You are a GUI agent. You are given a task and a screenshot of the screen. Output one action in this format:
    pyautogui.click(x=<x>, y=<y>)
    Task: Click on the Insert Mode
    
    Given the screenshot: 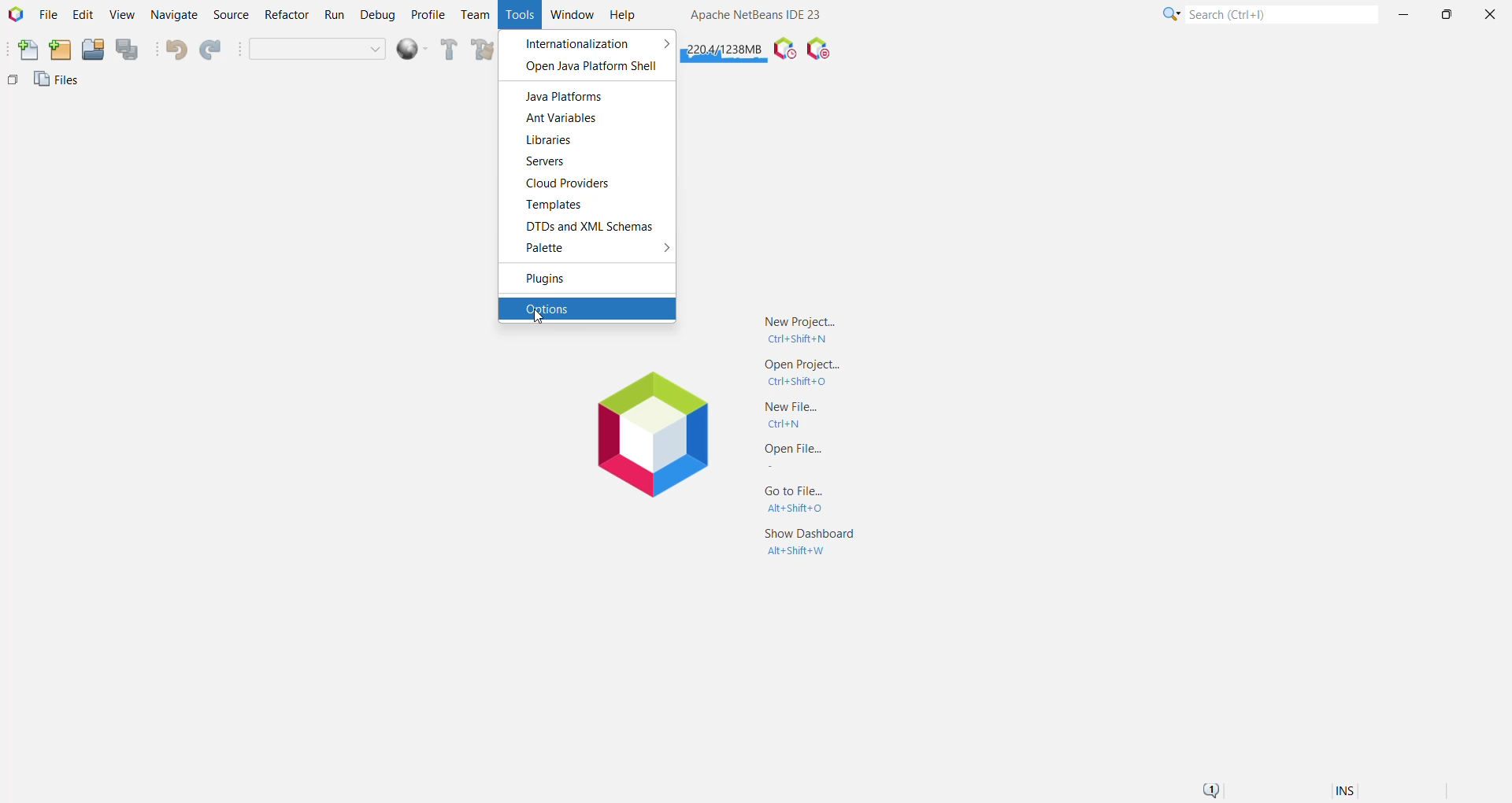 What is the action you would take?
    pyautogui.click(x=1347, y=793)
    